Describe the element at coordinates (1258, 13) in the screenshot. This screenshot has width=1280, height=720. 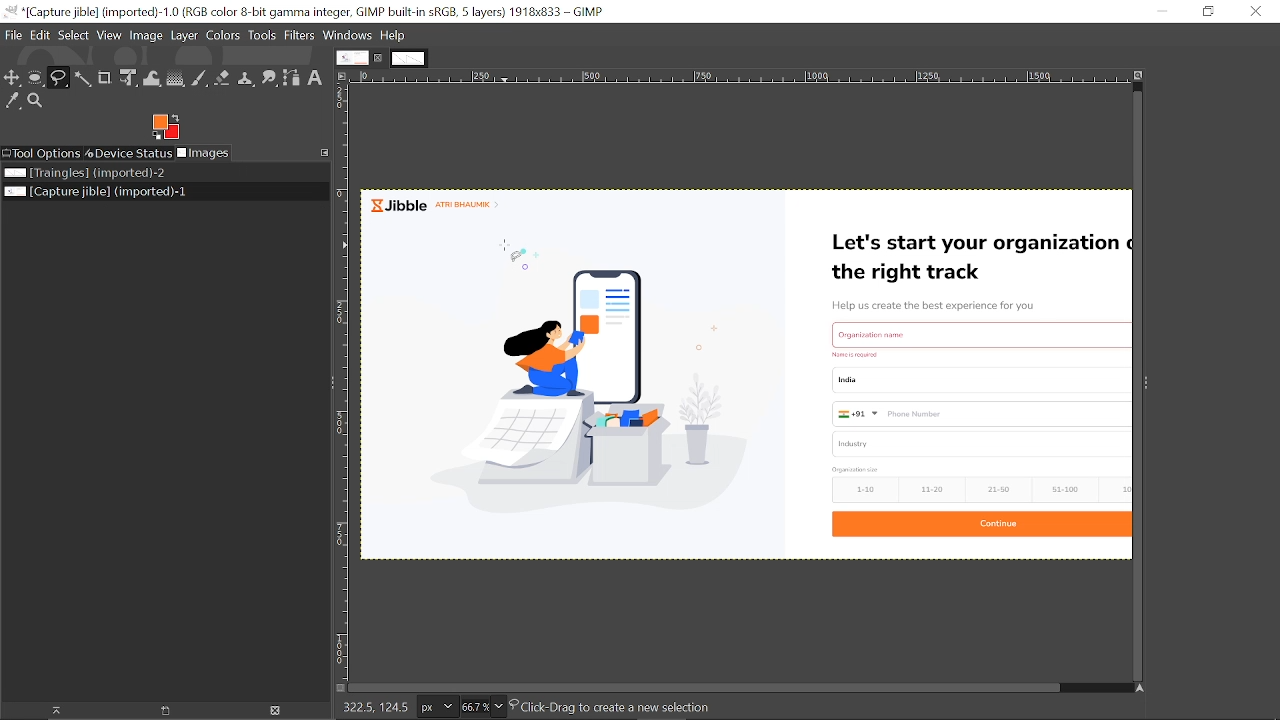
I see `Close` at that location.